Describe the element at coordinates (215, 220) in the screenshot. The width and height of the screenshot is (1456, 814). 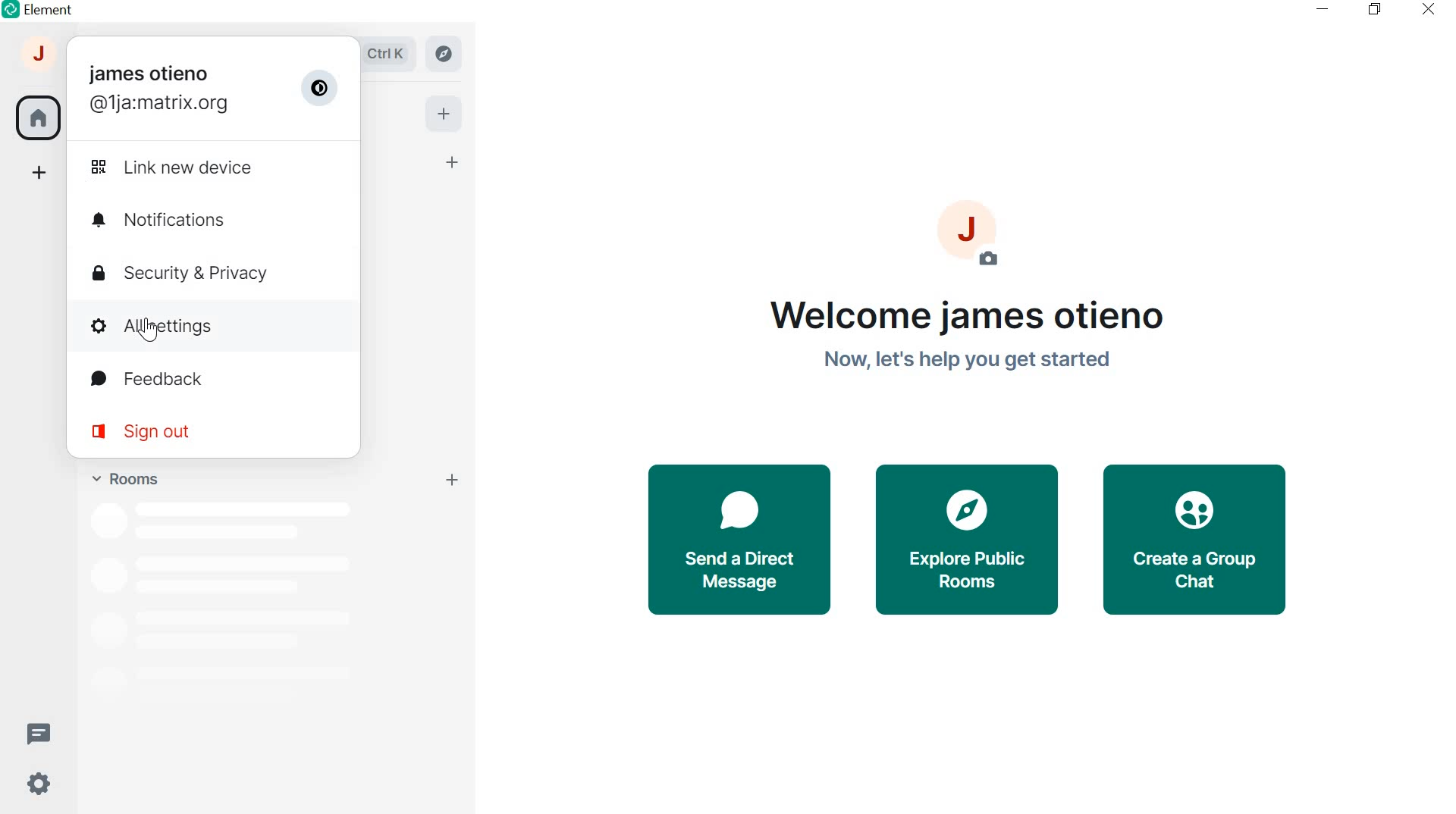
I see `NOTIFICATIONS` at that location.